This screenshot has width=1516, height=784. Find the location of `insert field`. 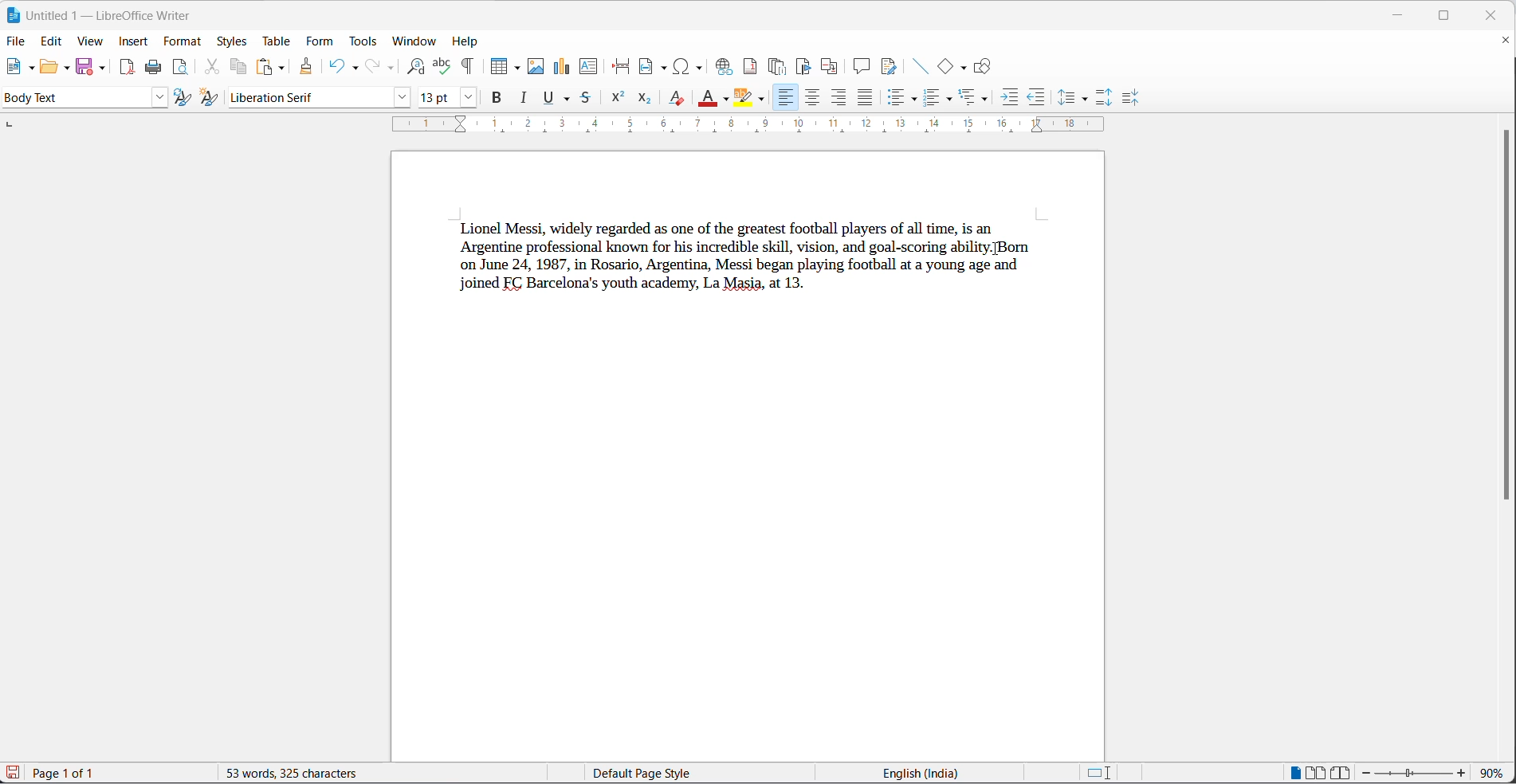

insert field is located at coordinates (654, 68).